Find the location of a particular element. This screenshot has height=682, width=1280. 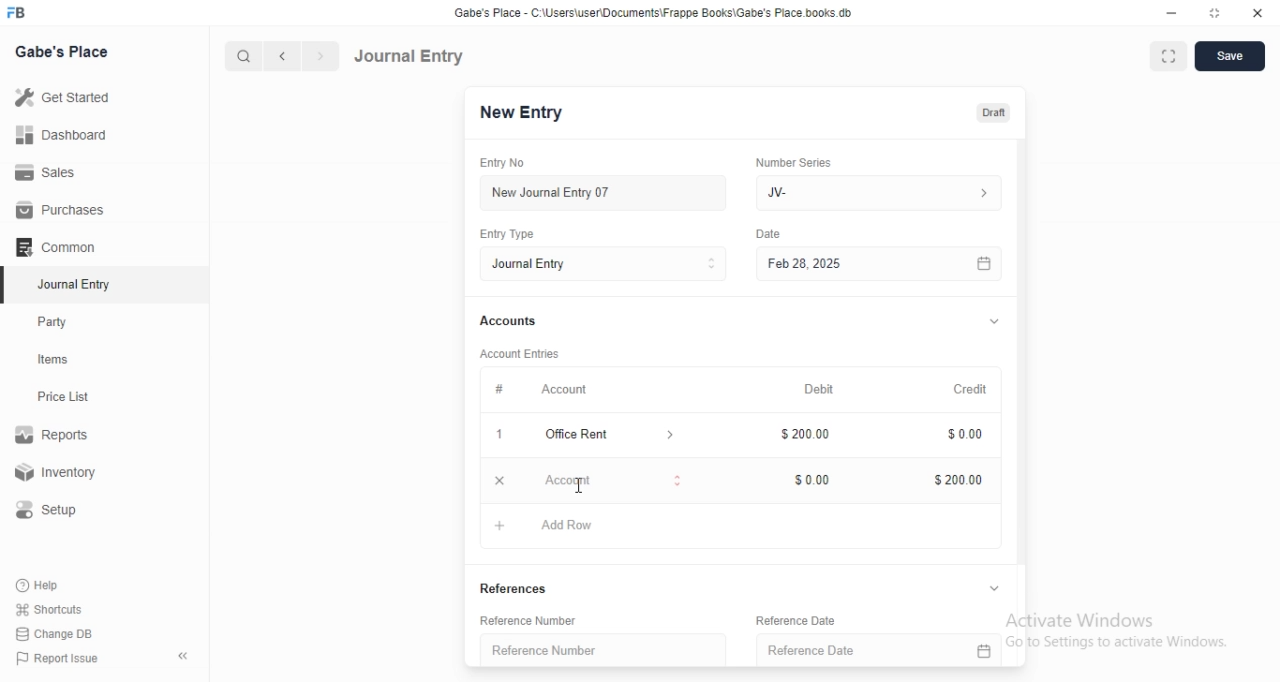

Help is located at coordinates (41, 585).